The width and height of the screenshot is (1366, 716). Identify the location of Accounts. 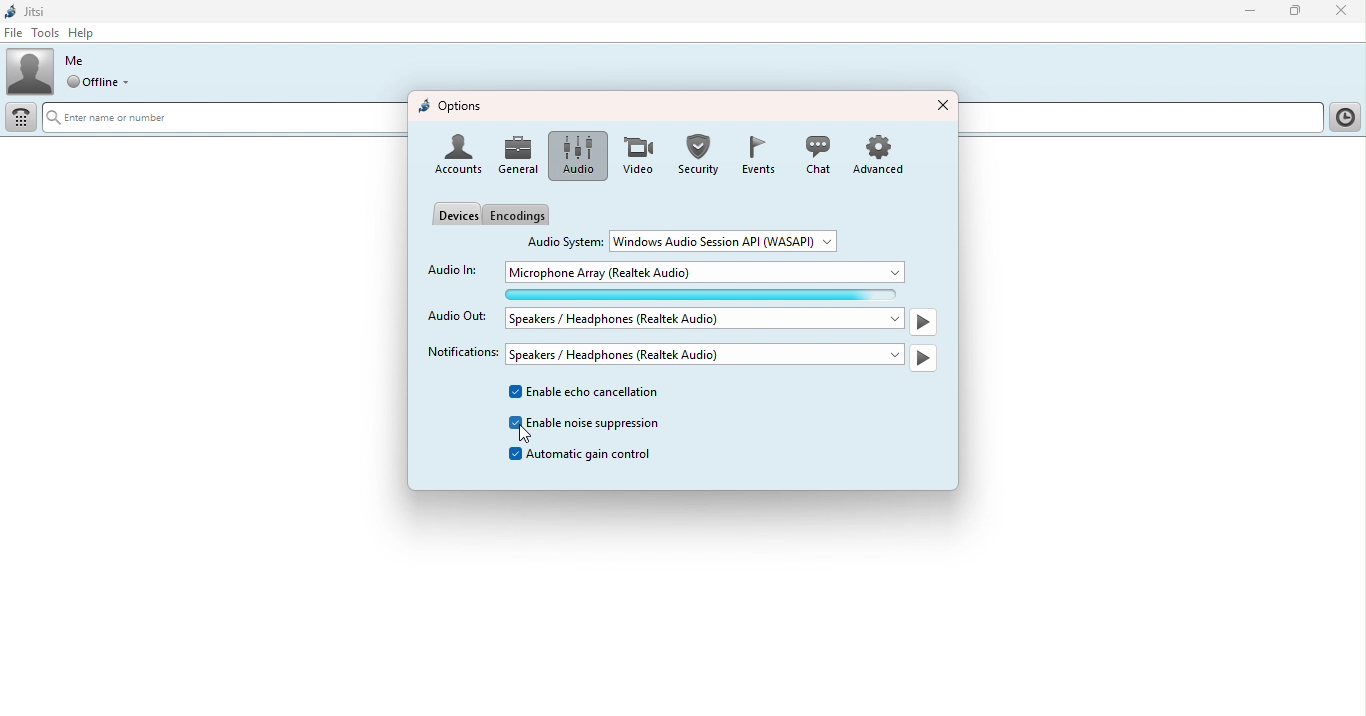
(457, 156).